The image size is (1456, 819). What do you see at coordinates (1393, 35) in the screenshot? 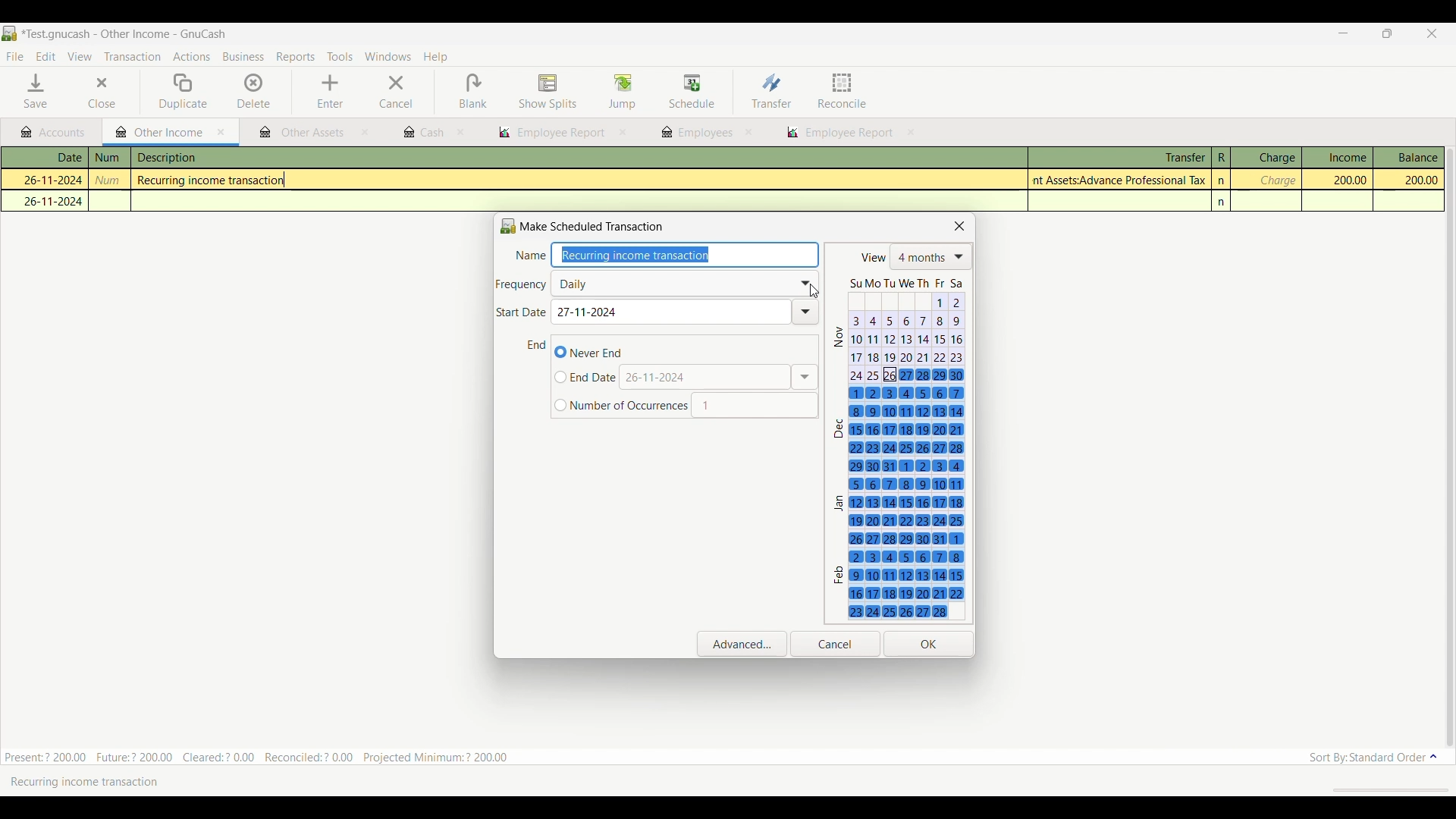
I see `Show interface in a smaller tab` at bounding box center [1393, 35].